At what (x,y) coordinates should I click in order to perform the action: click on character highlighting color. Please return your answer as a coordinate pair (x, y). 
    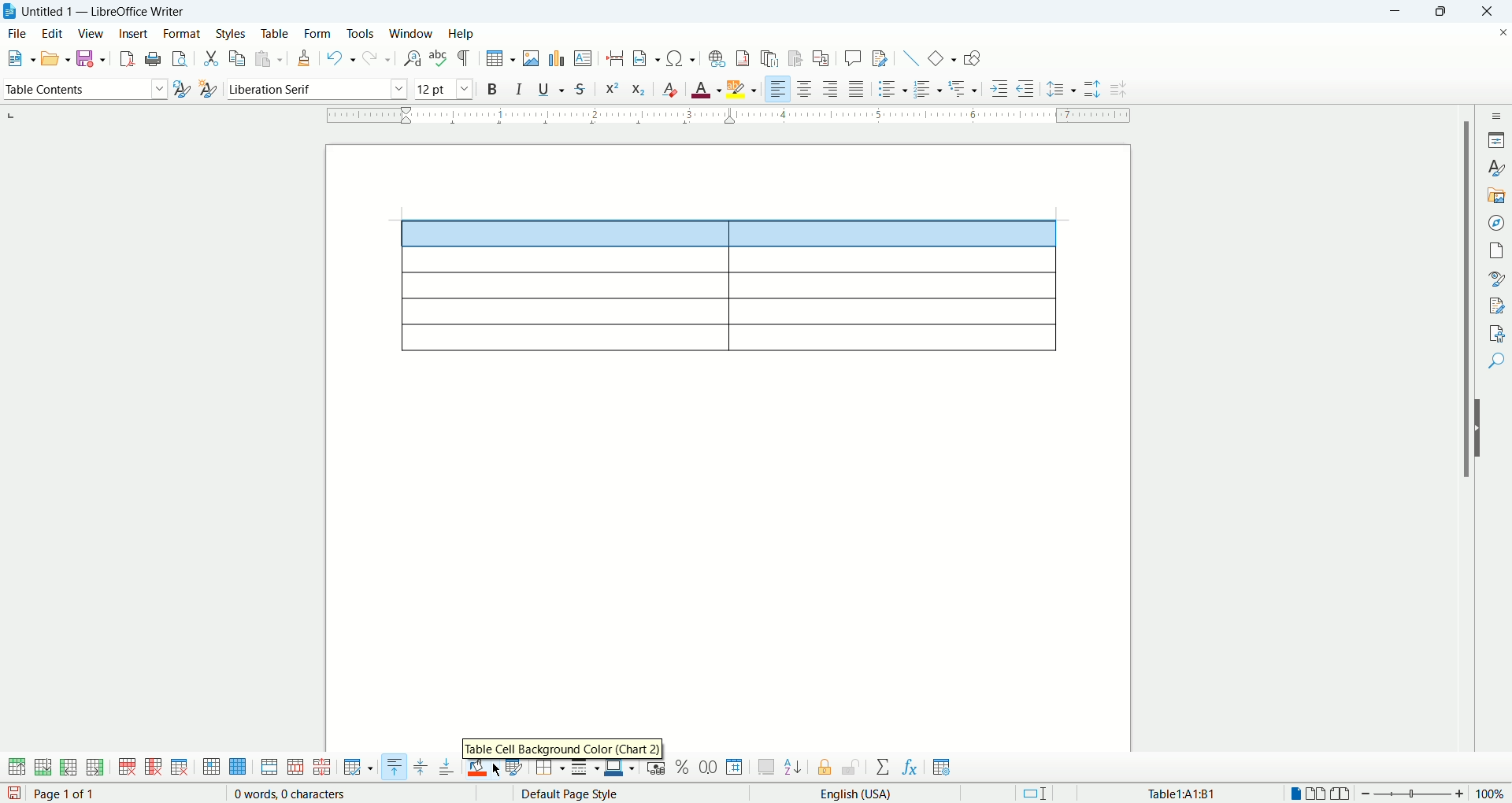
    Looking at the image, I should click on (743, 89).